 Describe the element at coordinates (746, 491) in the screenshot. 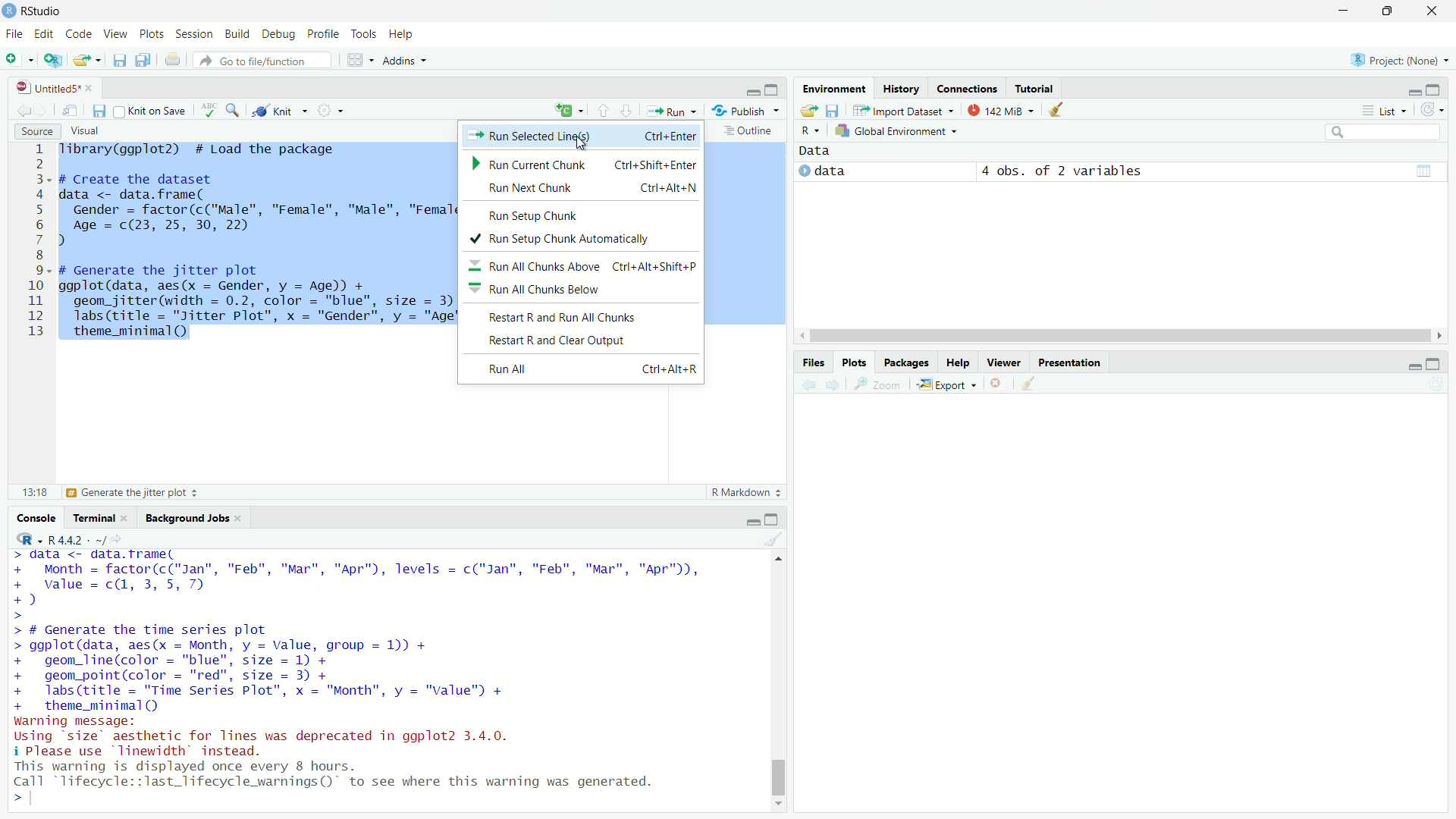

I see `R markdown` at that location.